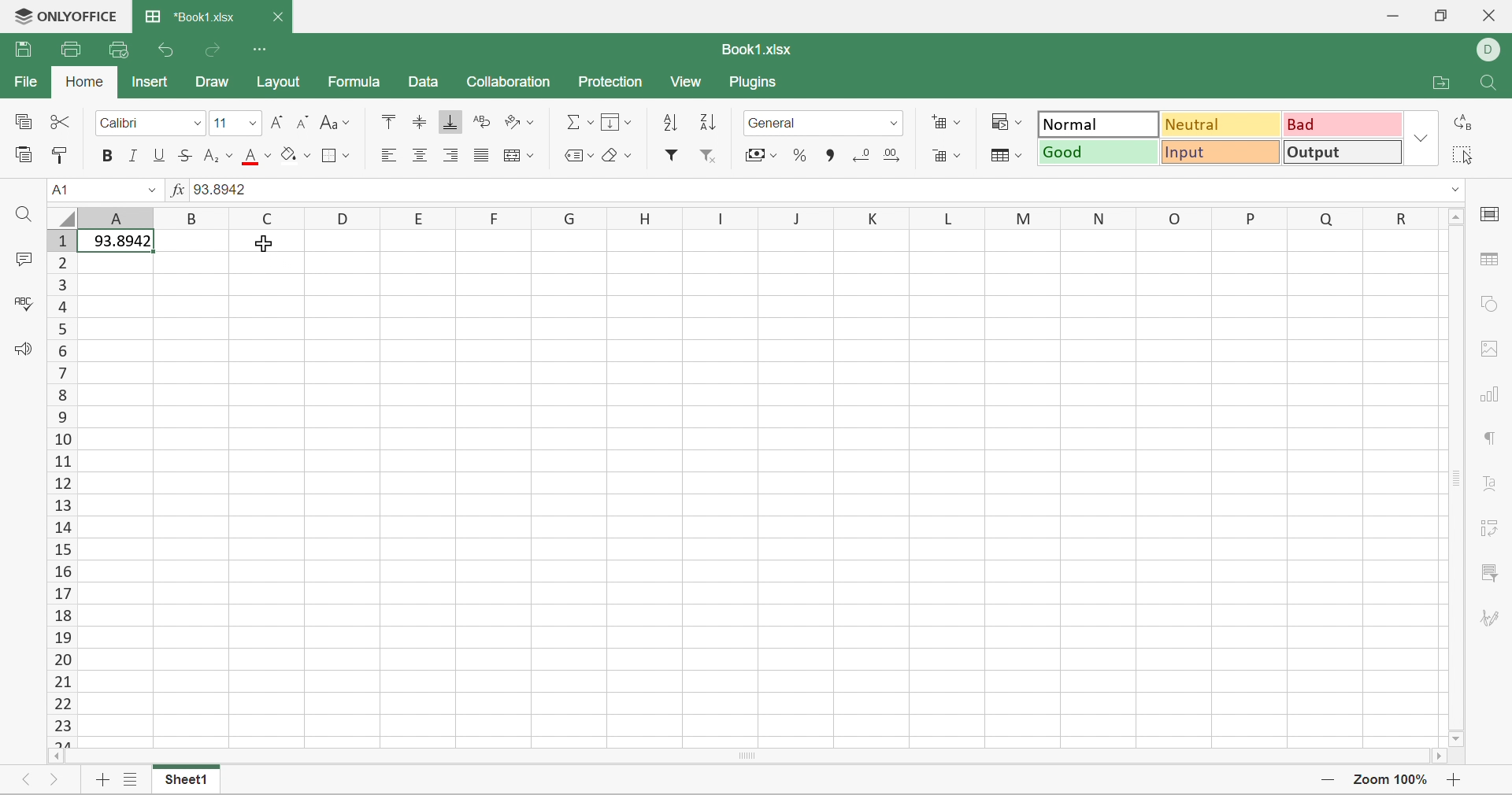 The height and width of the screenshot is (795, 1512). What do you see at coordinates (178, 190) in the screenshot?
I see `fx` at bounding box center [178, 190].